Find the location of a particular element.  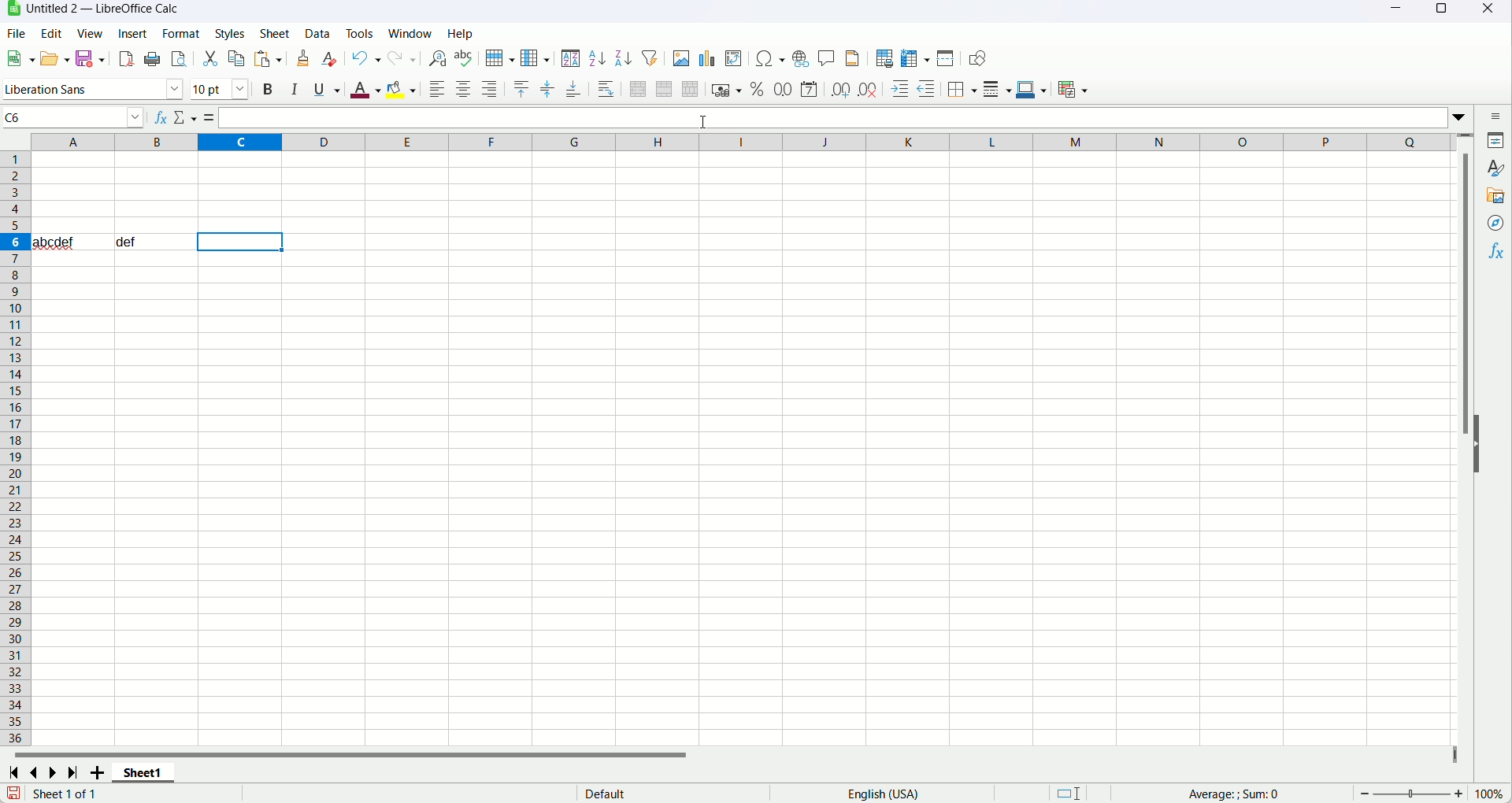

align center is located at coordinates (464, 88).